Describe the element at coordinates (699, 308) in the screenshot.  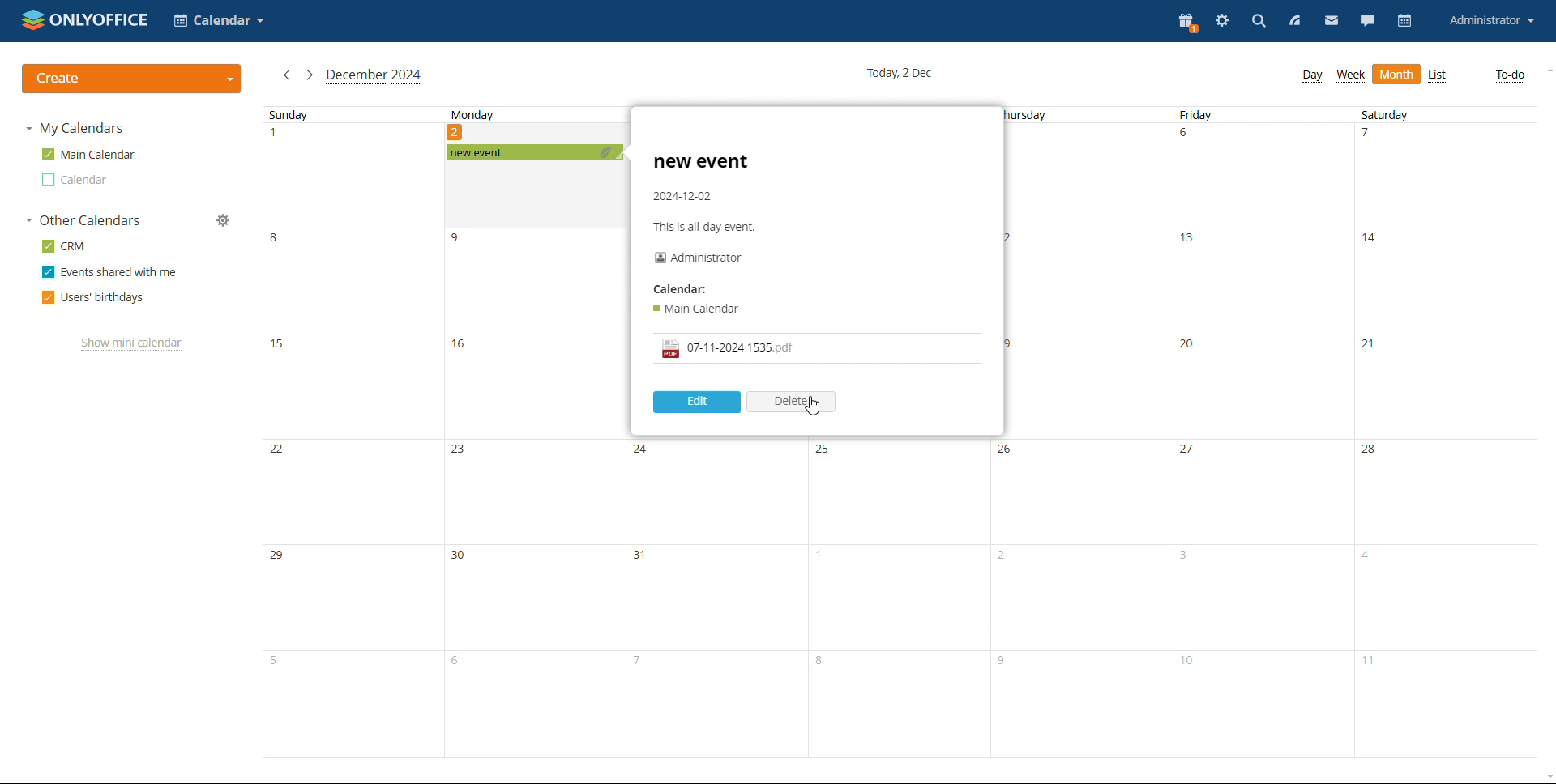
I see `Main Calendar` at that location.